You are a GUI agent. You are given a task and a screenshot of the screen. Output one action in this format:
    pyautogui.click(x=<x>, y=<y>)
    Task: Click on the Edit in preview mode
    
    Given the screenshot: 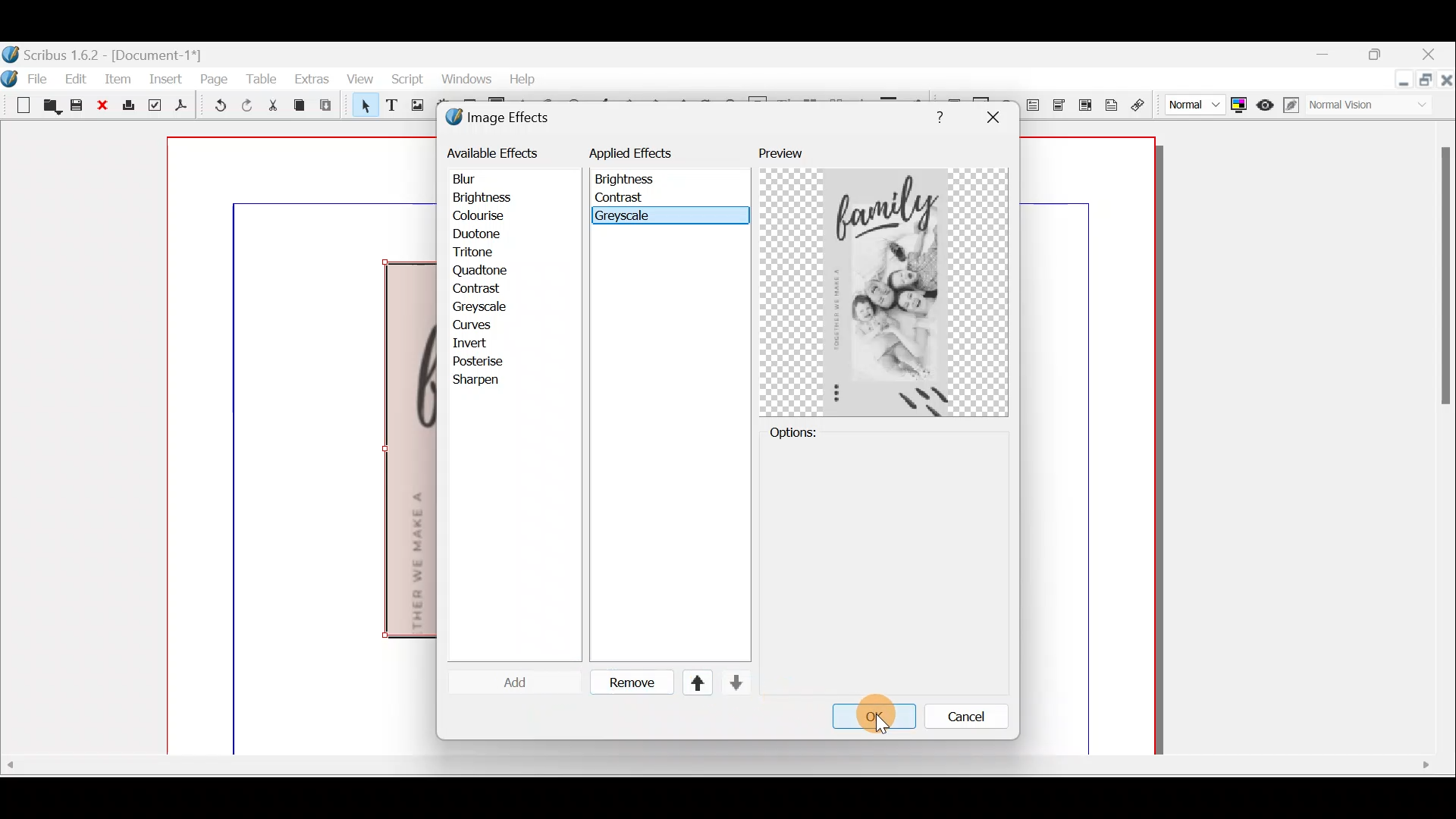 What is the action you would take?
    pyautogui.click(x=1289, y=104)
    